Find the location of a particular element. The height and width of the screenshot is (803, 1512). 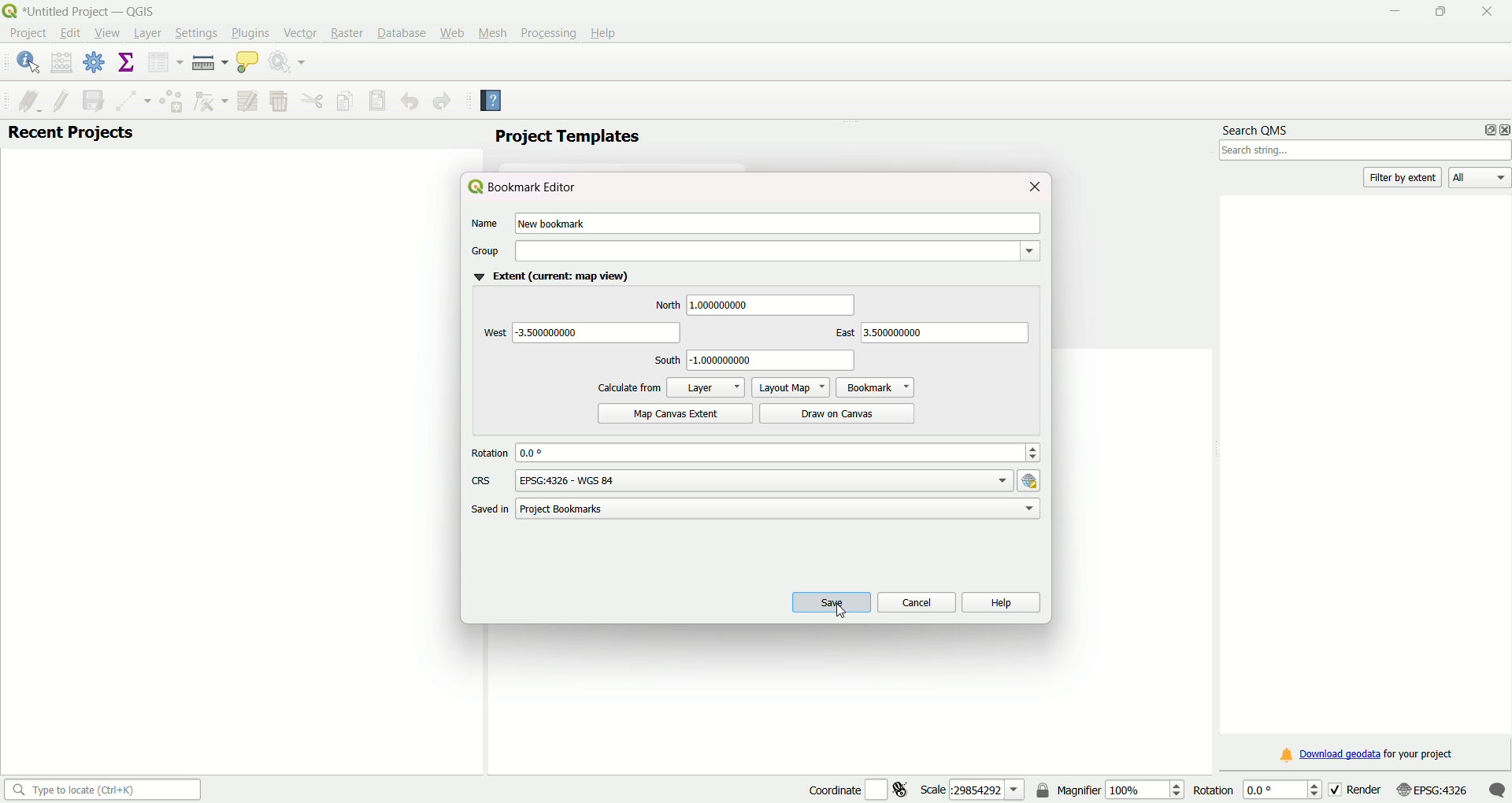

recent projects is located at coordinates (71, 134).